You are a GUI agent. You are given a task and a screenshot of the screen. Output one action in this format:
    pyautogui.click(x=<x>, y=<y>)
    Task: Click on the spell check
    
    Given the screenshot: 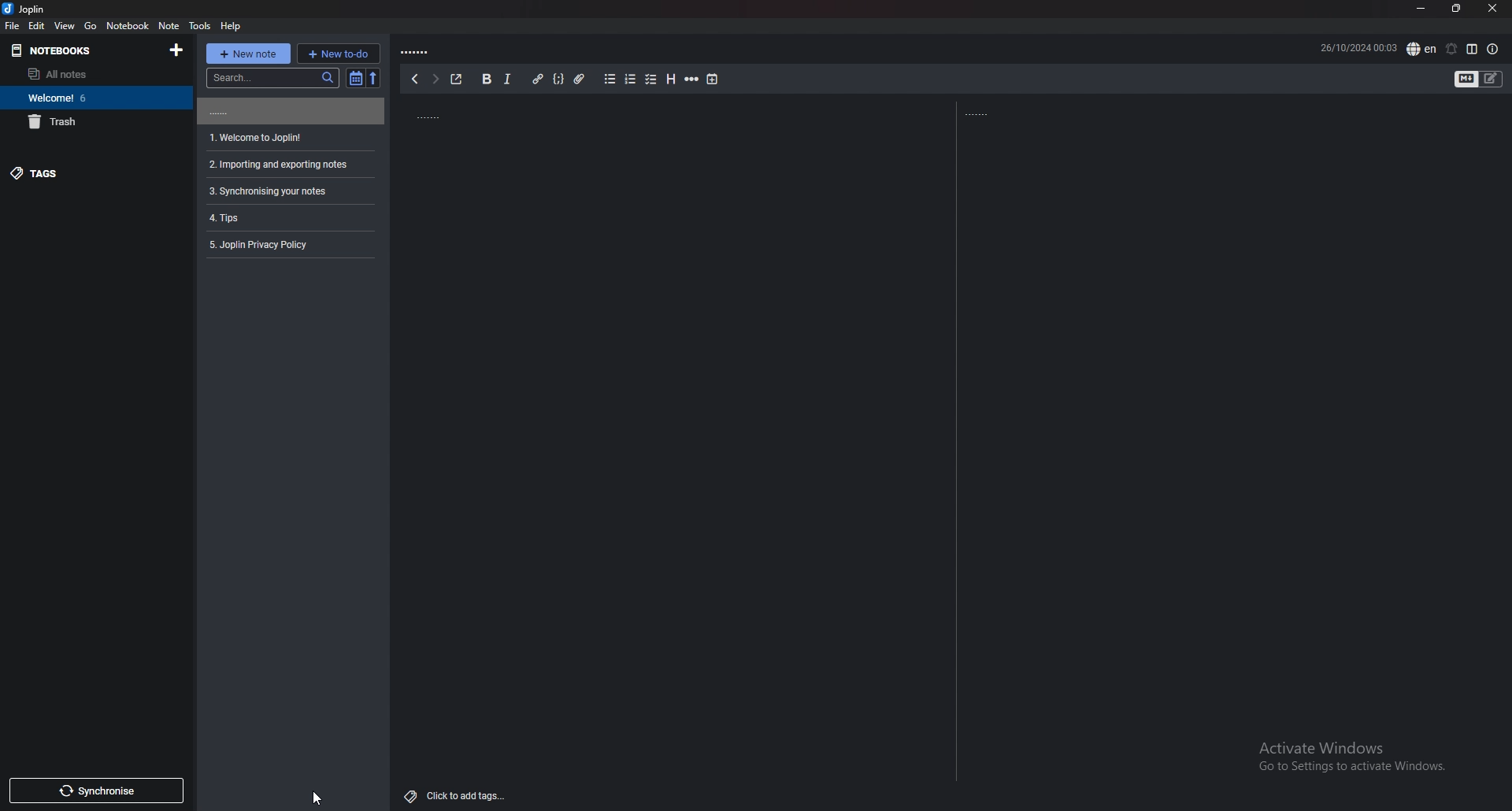 What is the action you would take?
    pyautogui.click(x=1421, y=48)
    